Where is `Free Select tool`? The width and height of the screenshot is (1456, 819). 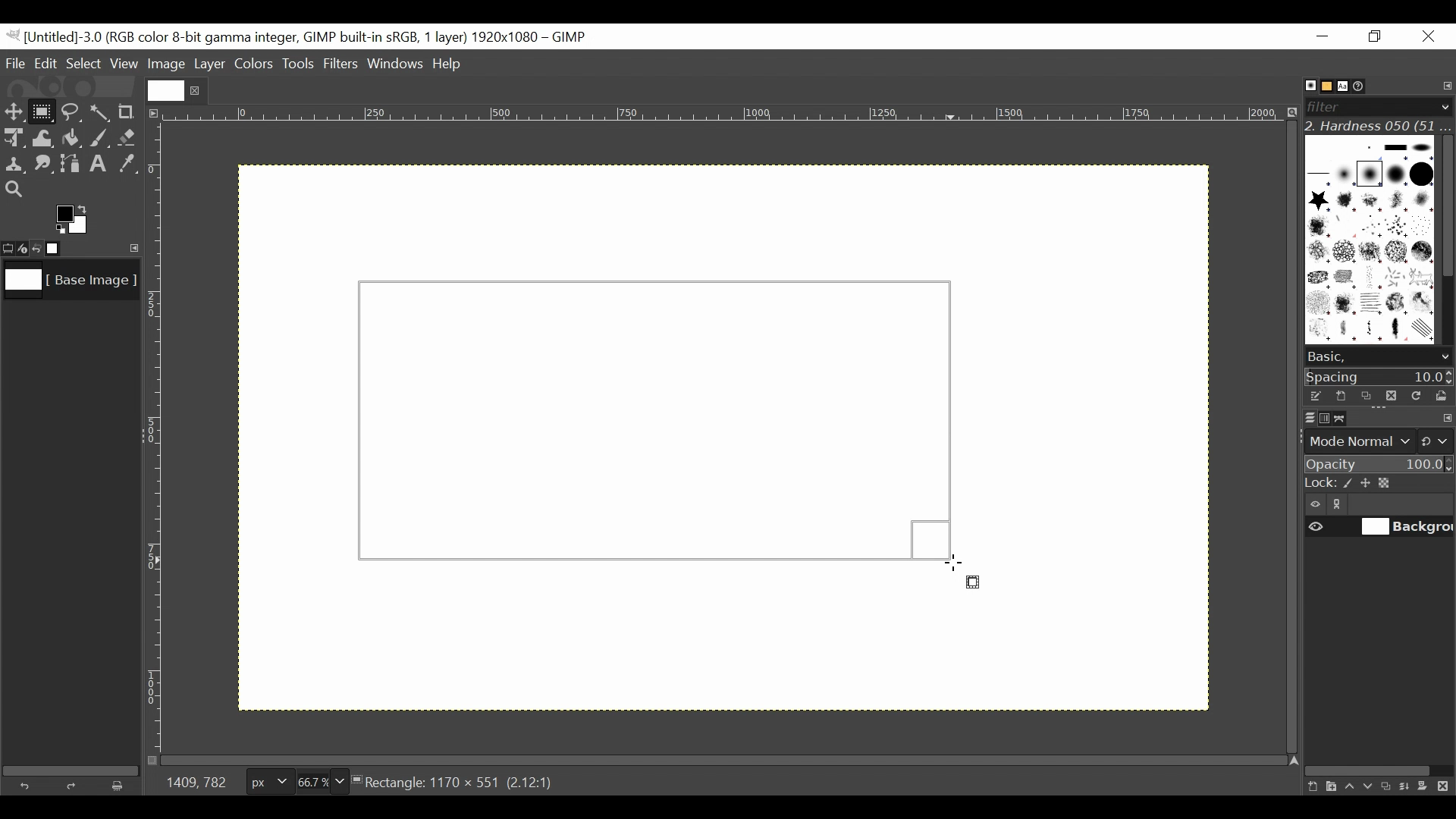 Free Select tool is located at coordinates (70, 109).